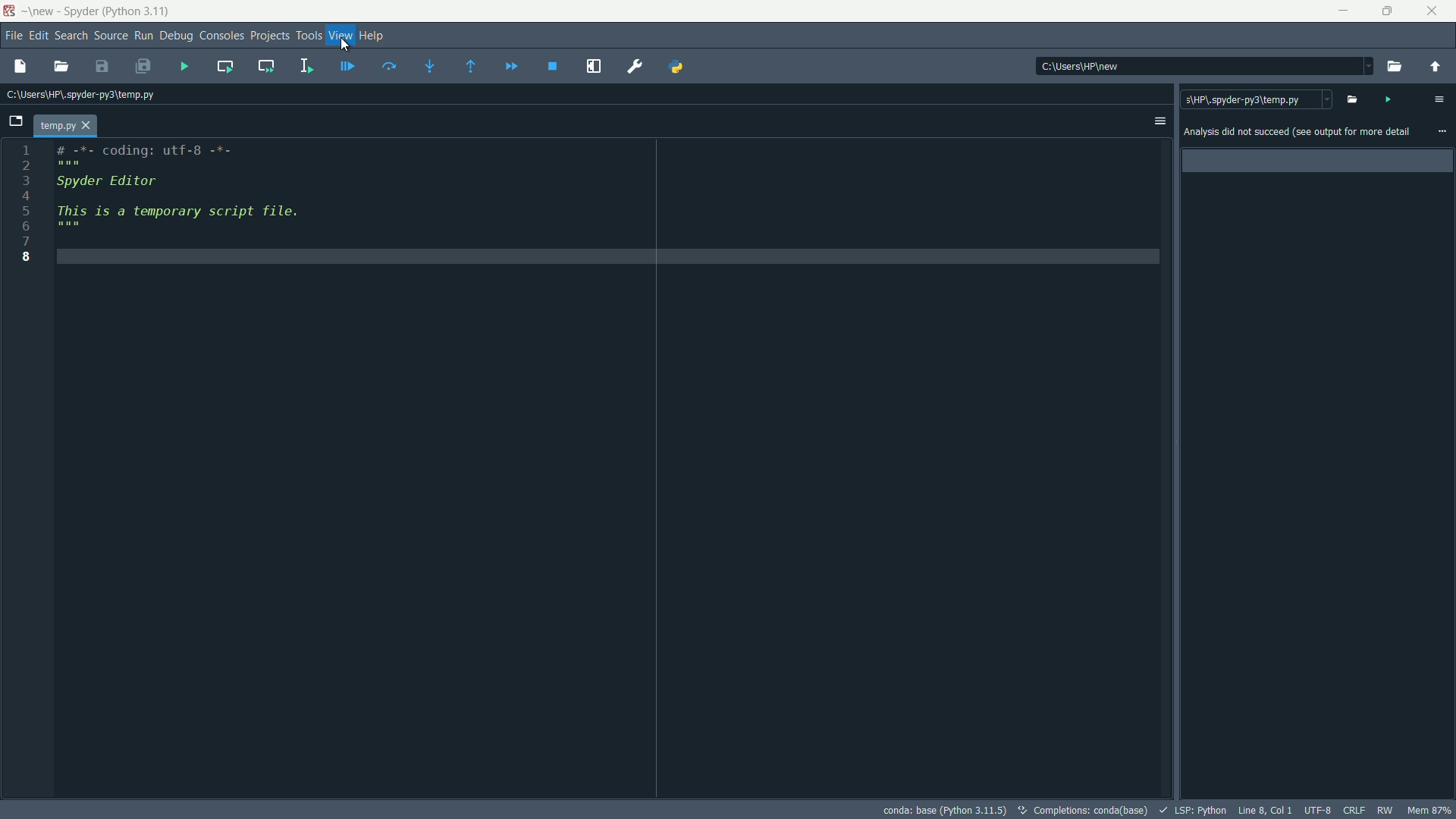 The height and width of the screenshot is (819, 1456). Describe the element at coordinates (306, 67) in the screenshot. I see `run selection` at that location.